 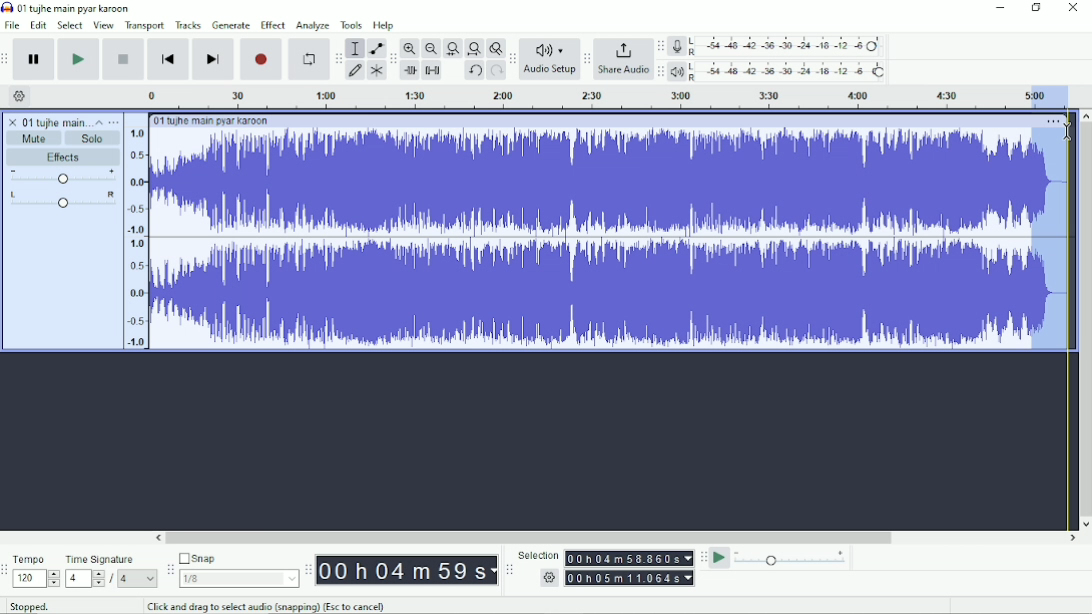 What do you see at coordinates (1001, 7) in the screenshot?
I see `Minimize` at bounding box center [1001, 7].